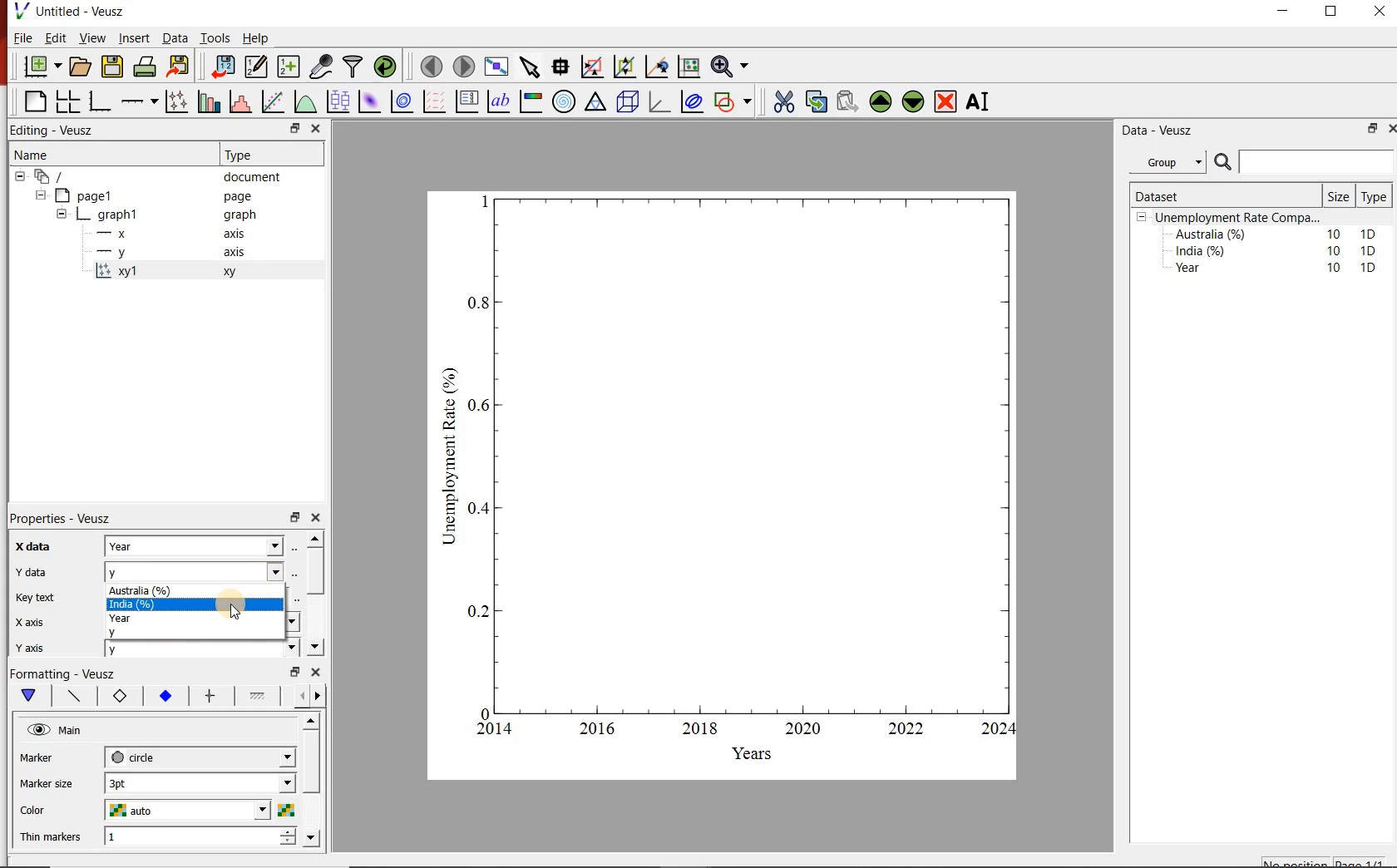 This screenshot has height=868, width=1397. Describe the element at coordinates (288, 67) in the screenshot. I see `create new datasets` at that location.